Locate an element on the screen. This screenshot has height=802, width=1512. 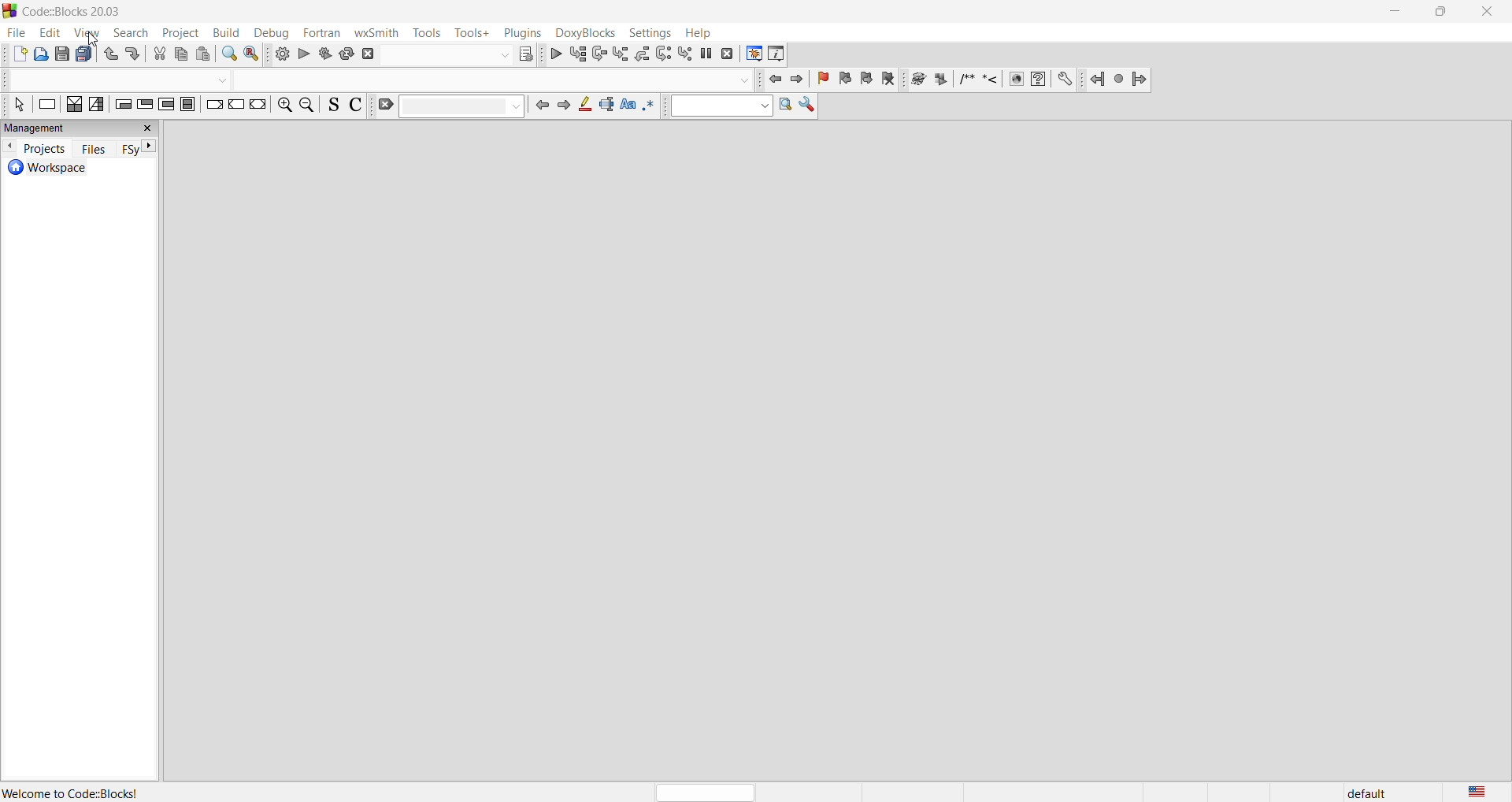
entry conditional loop is located at coordinates (123, 106).